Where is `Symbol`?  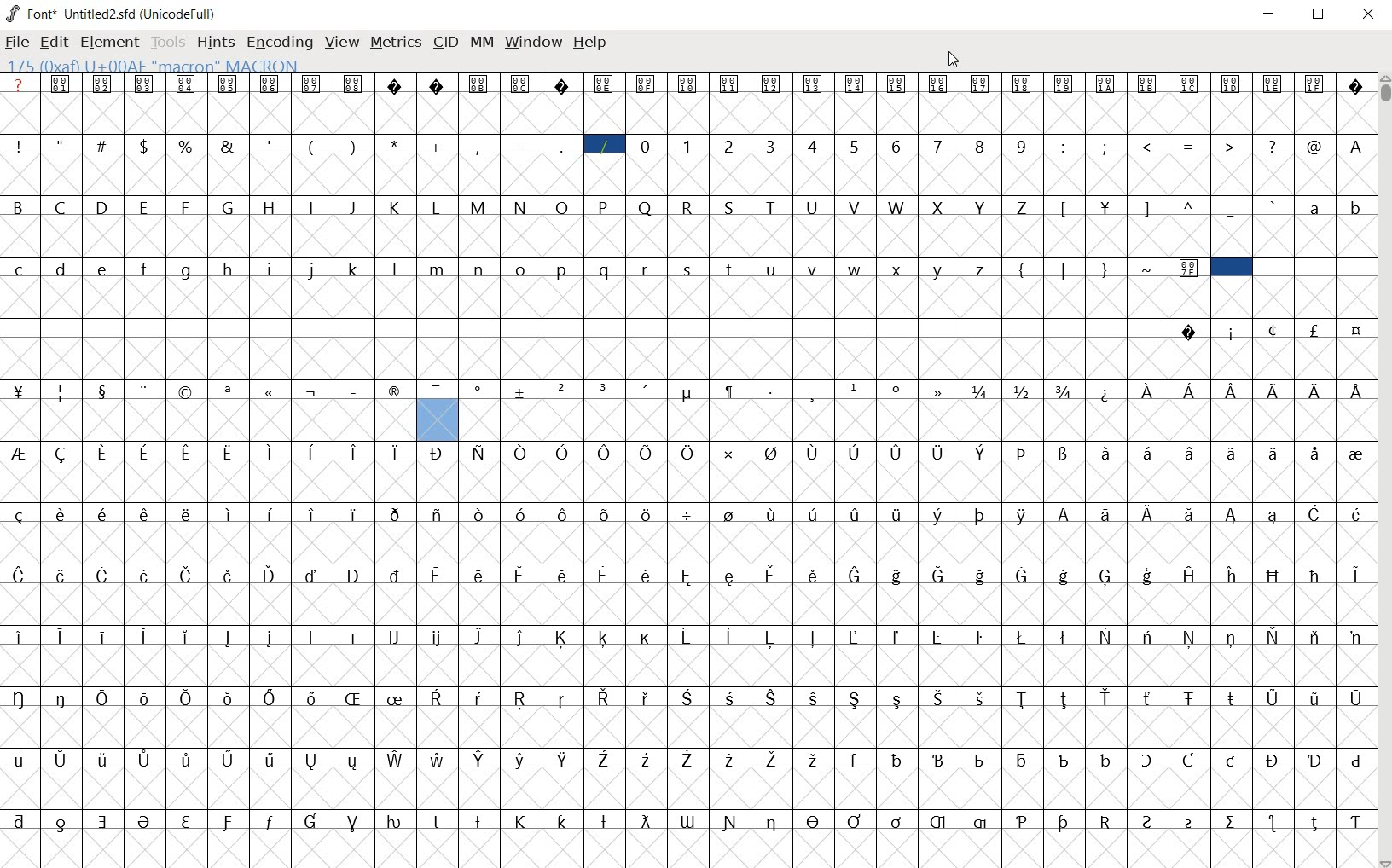 Symbol is located at coordinates (858, 576).